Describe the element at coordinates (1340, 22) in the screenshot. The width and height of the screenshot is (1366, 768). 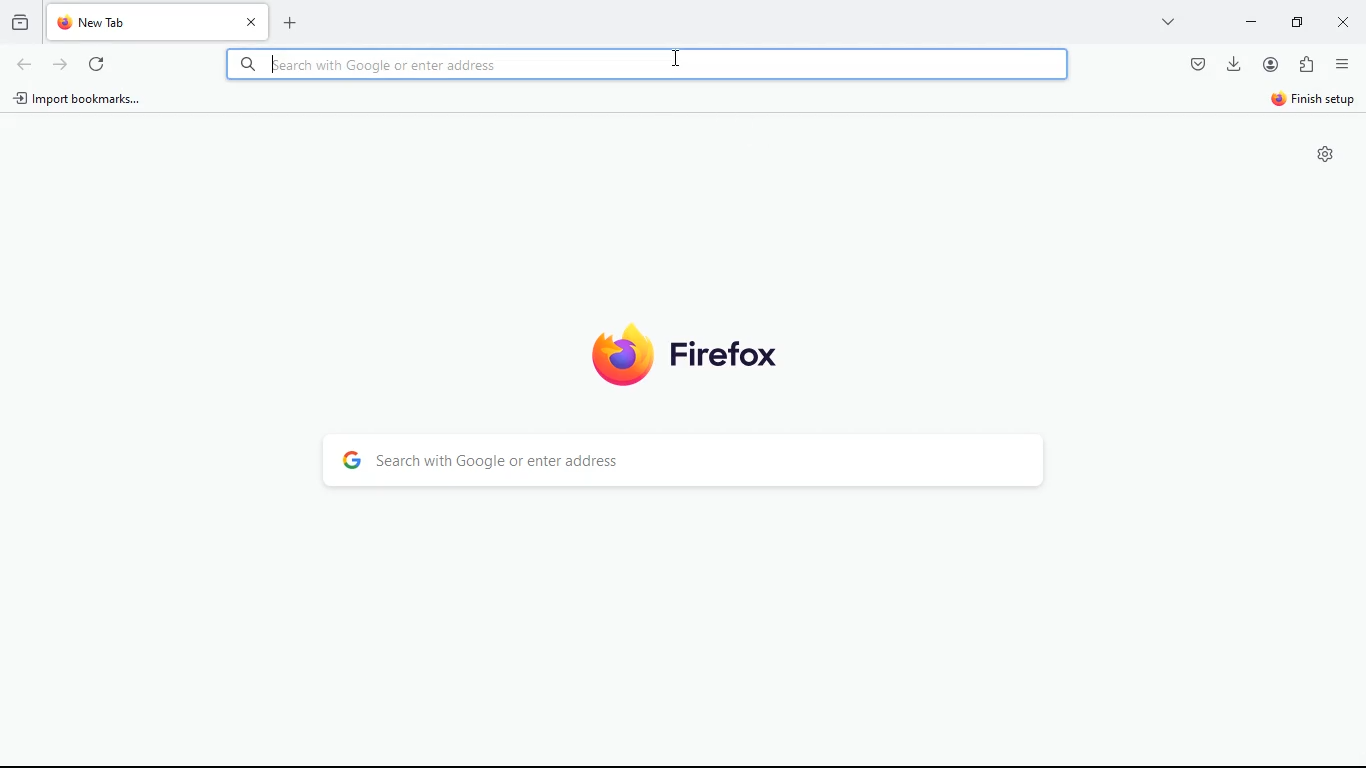
I see `close` at that location.